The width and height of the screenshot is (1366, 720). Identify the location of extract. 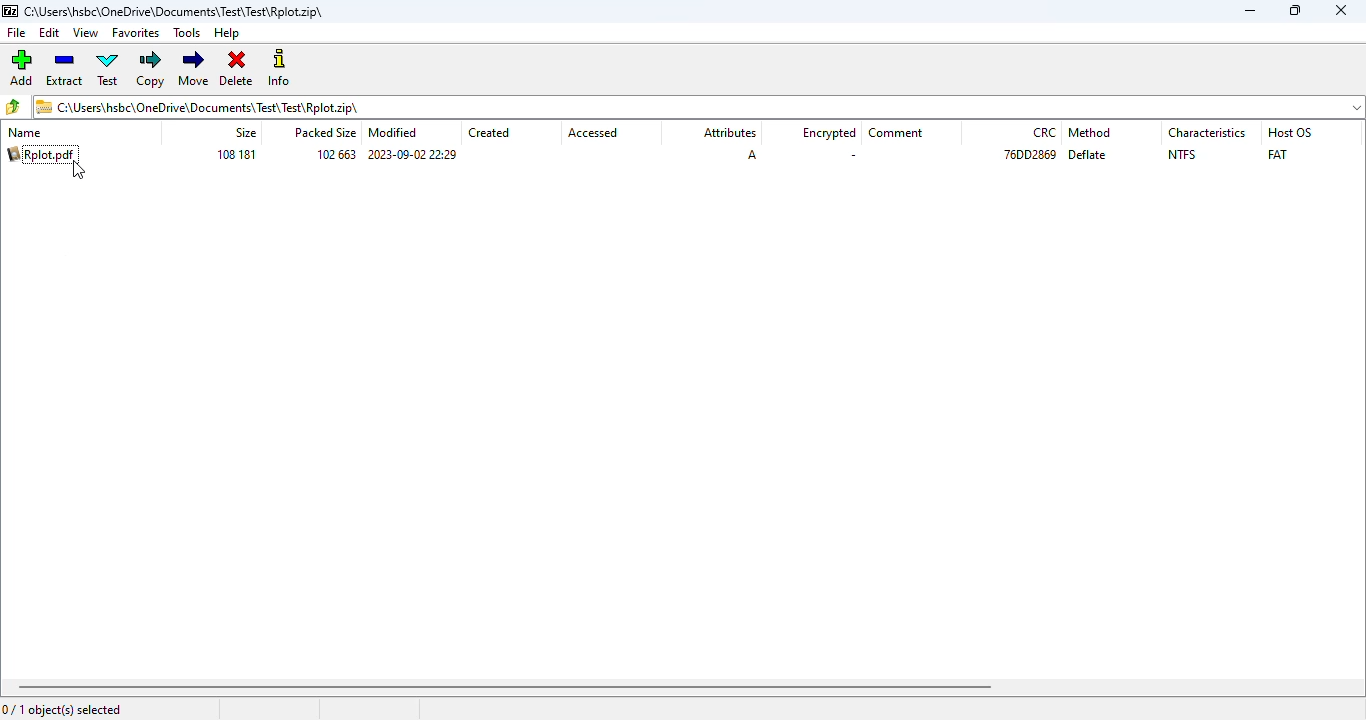
(64, 68).